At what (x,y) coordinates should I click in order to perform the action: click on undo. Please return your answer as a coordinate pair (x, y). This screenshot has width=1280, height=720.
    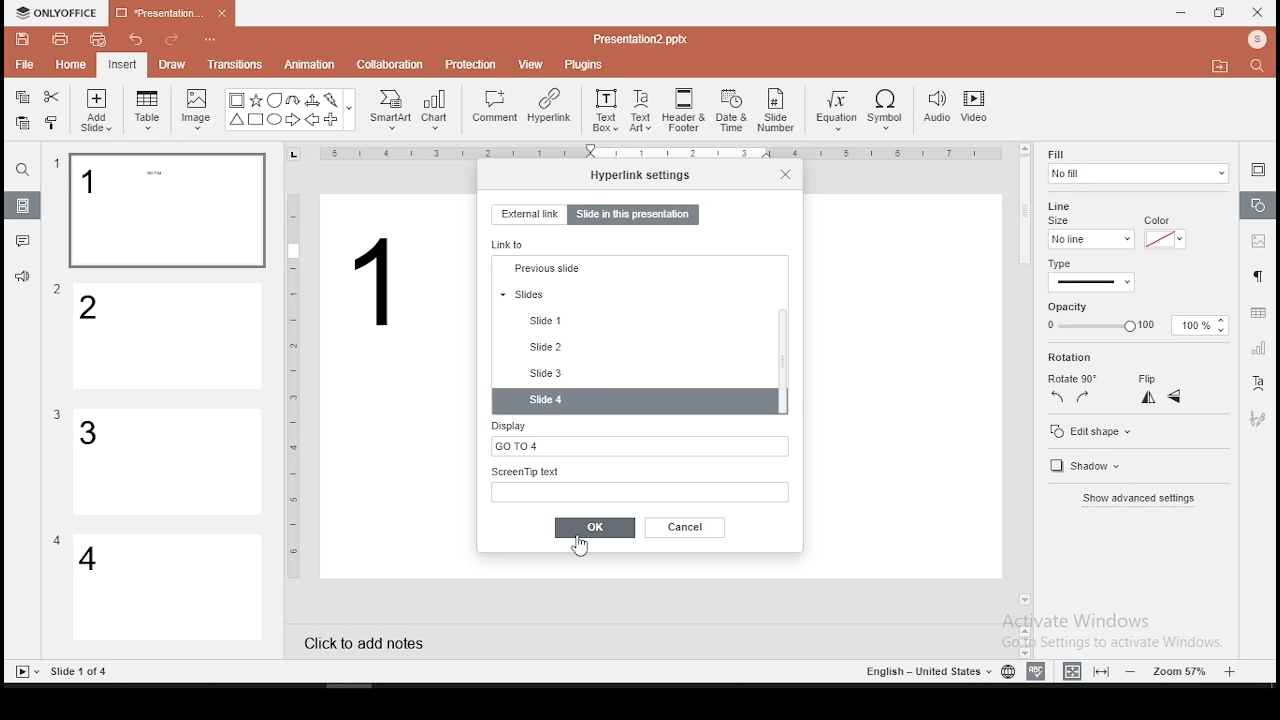
    Looking at the image, I should click on (136, 41).